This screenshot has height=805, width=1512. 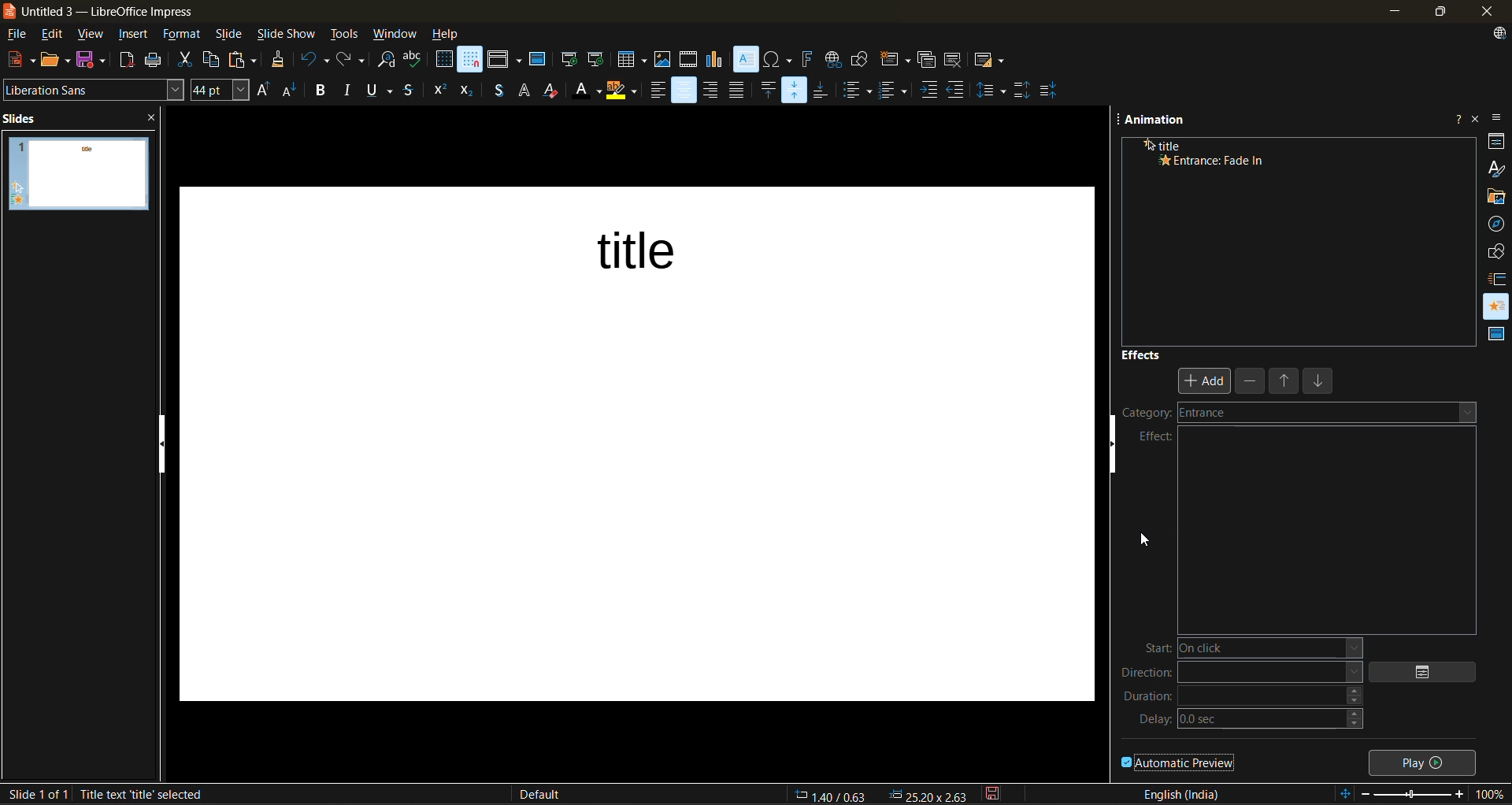 What do you see at coordinates (832, 59) in the screenshot?
I see `insert hyperlink` at bounding box center [832, 59].